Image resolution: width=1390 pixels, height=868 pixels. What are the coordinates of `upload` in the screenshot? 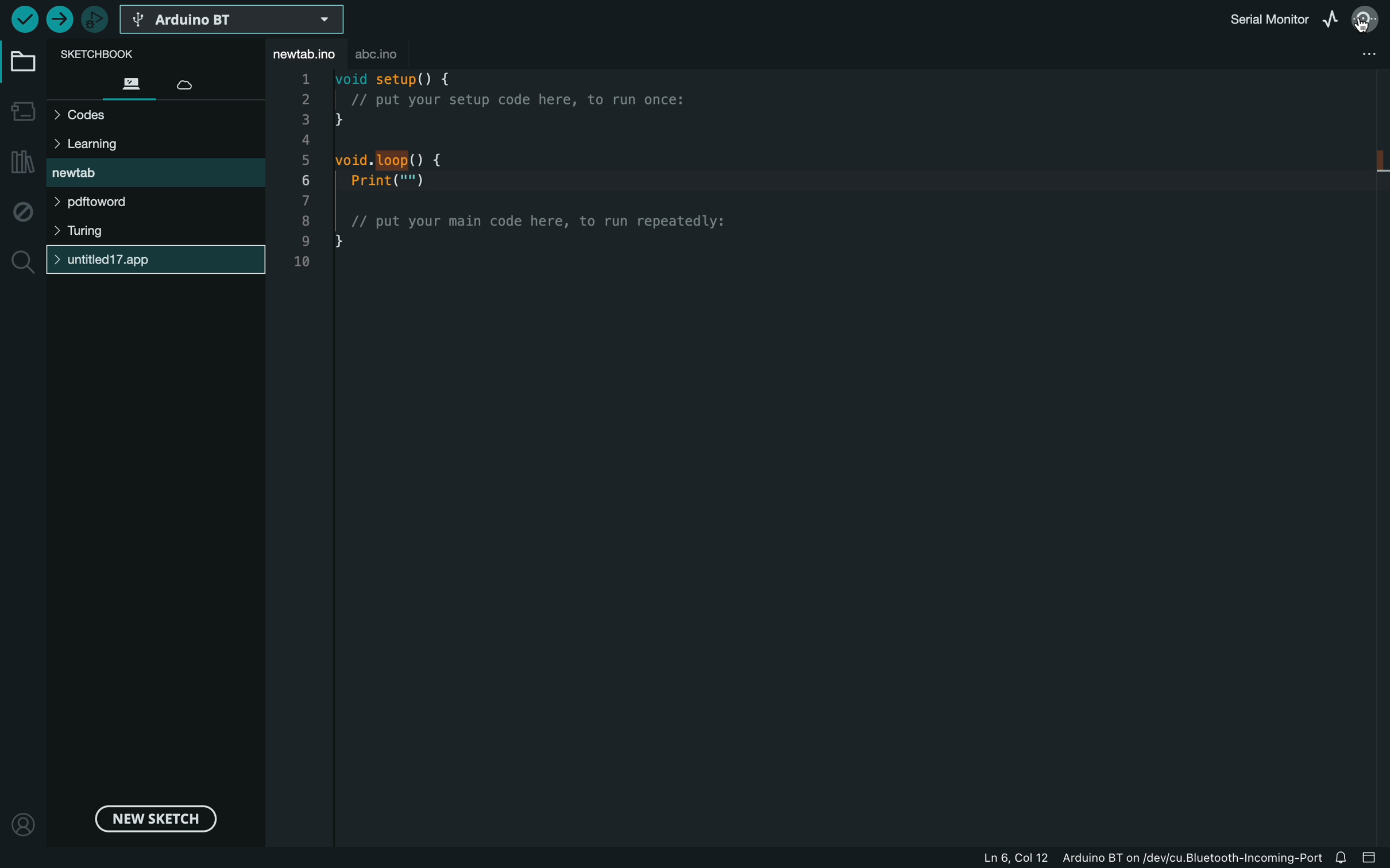 It's located at (57, 17).